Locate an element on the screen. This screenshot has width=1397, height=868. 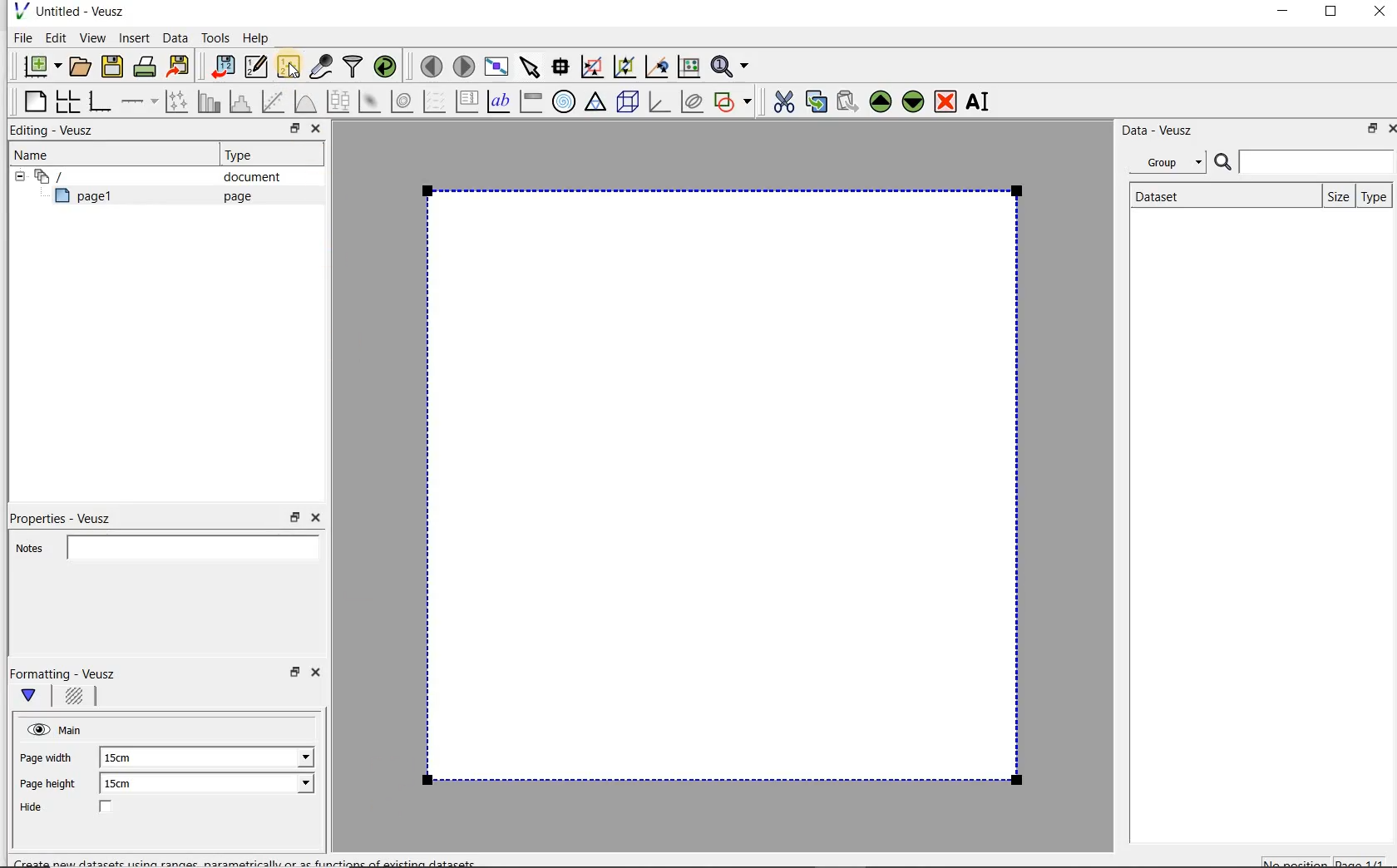
click to recenter graph axes is located at coordinates (658, 67).